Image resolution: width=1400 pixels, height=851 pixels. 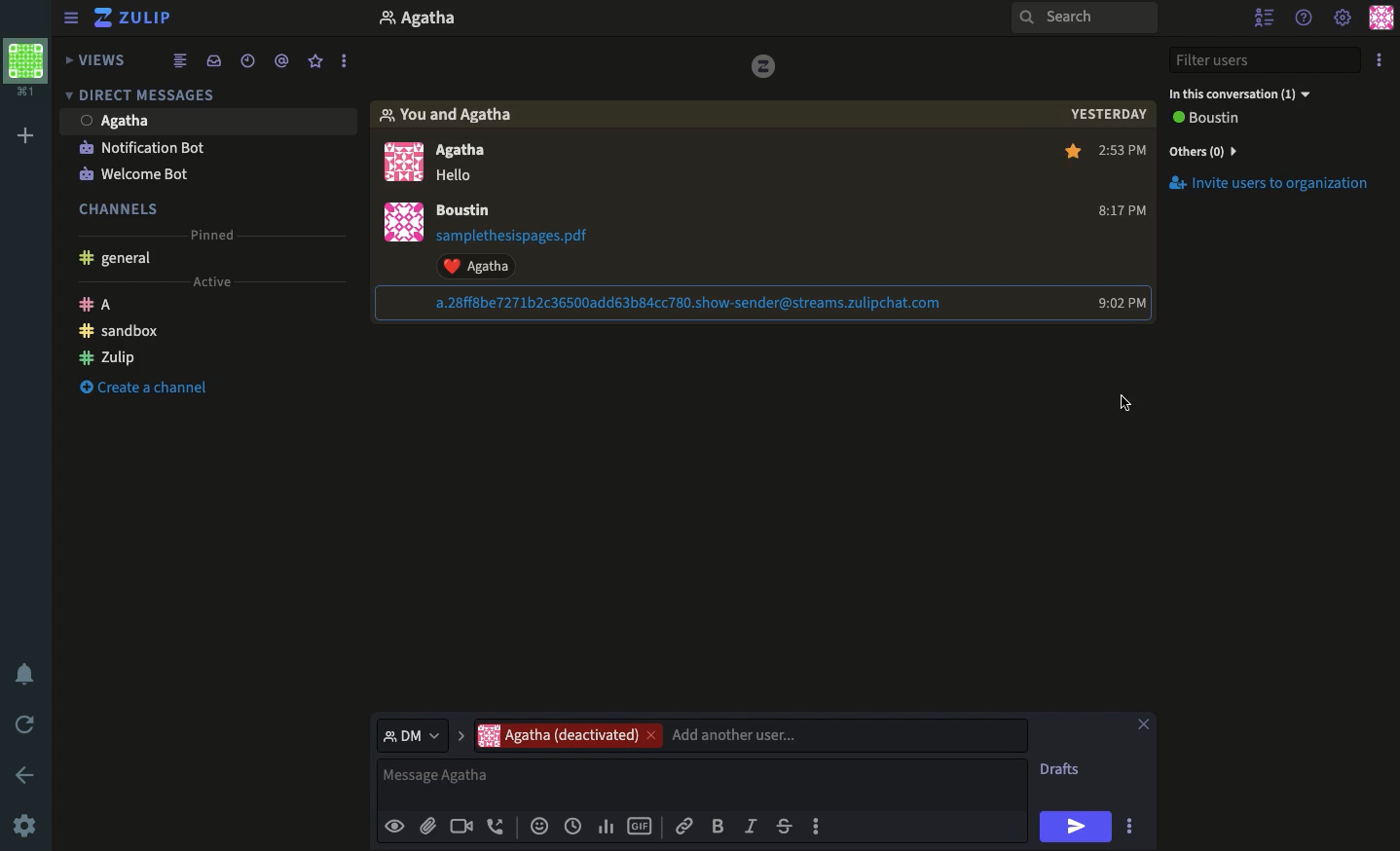 What do you see at coordinates (608, 19) in the screenshot?
I see `Inbox` at bounding box center [608, 19].